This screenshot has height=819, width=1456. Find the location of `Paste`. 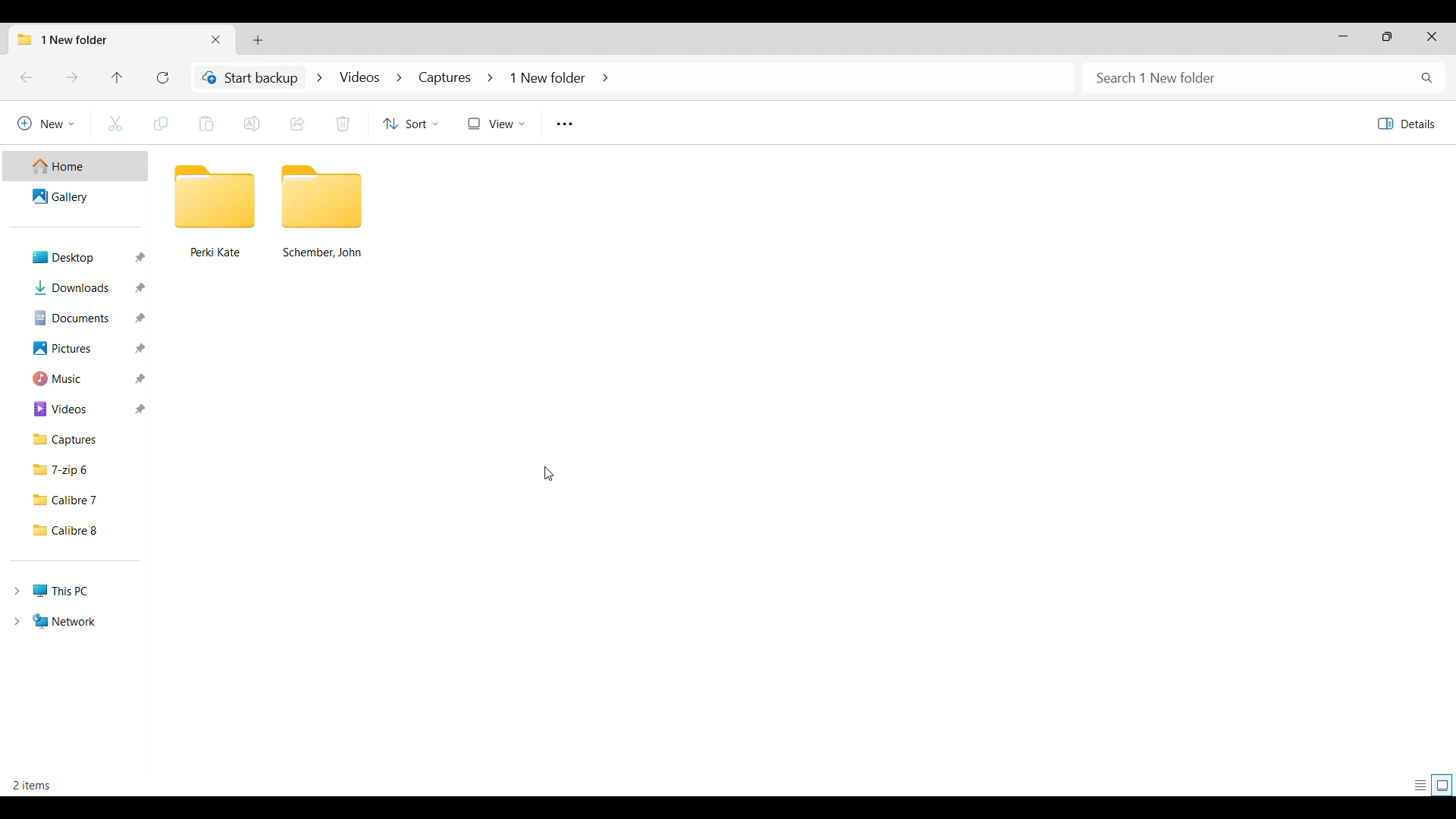

Paste is located at coordinates (206, 124).